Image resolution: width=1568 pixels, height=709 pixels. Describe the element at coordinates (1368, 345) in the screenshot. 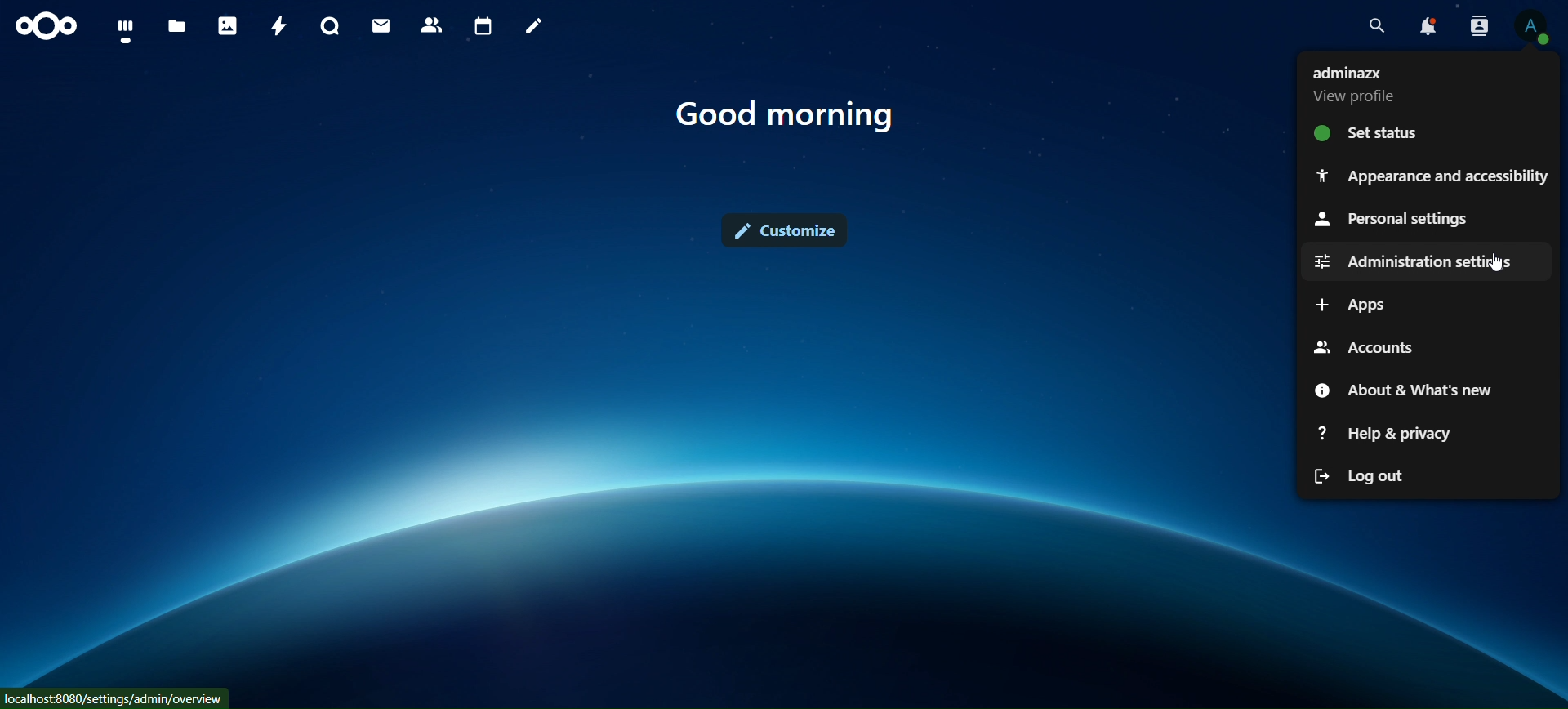

I see `accounts` at that location.